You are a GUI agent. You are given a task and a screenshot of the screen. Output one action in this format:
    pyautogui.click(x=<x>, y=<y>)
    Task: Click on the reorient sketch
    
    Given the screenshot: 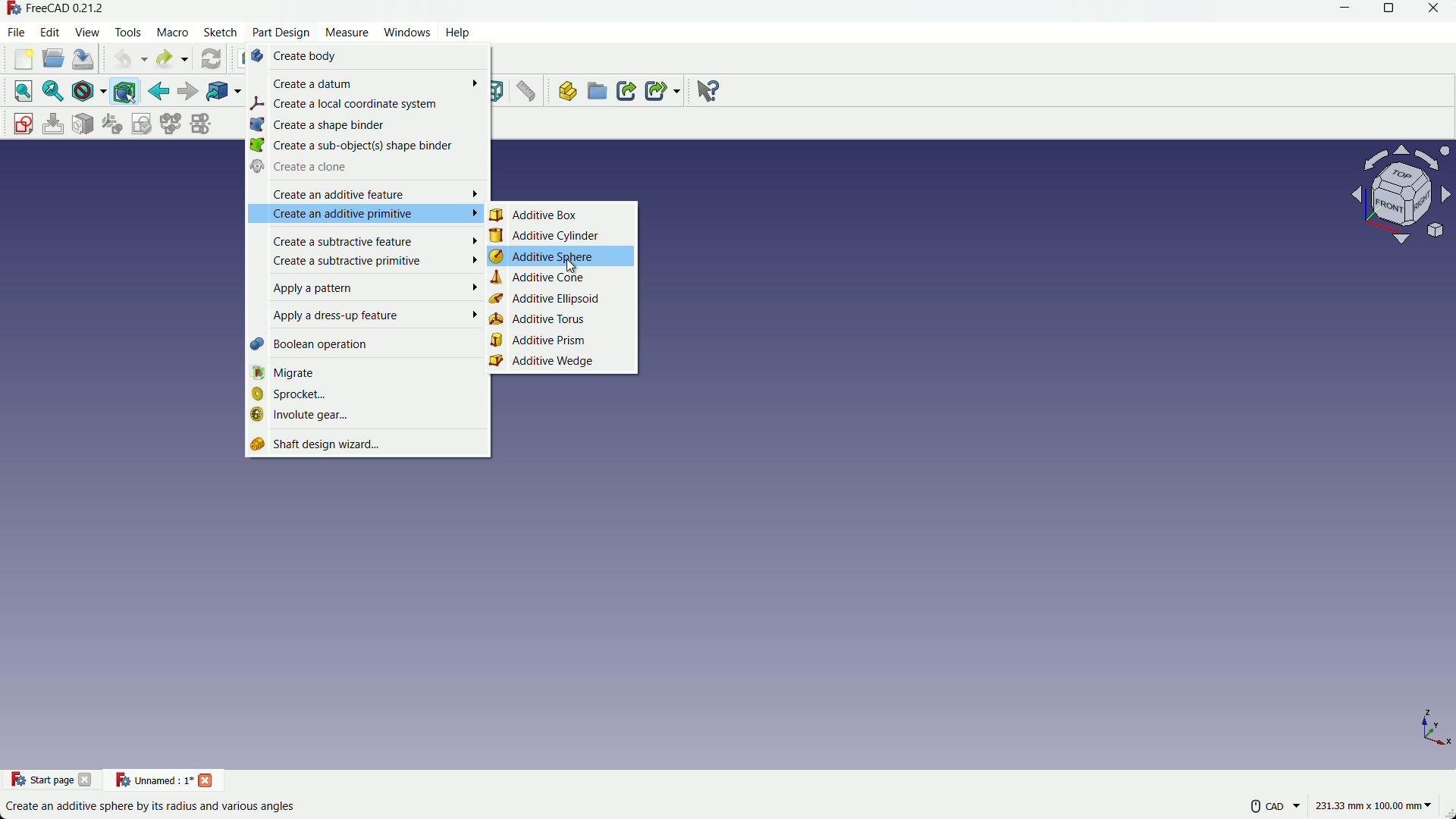 What is the action you would take?
    pyautogui.click(x=111, y=124)
    